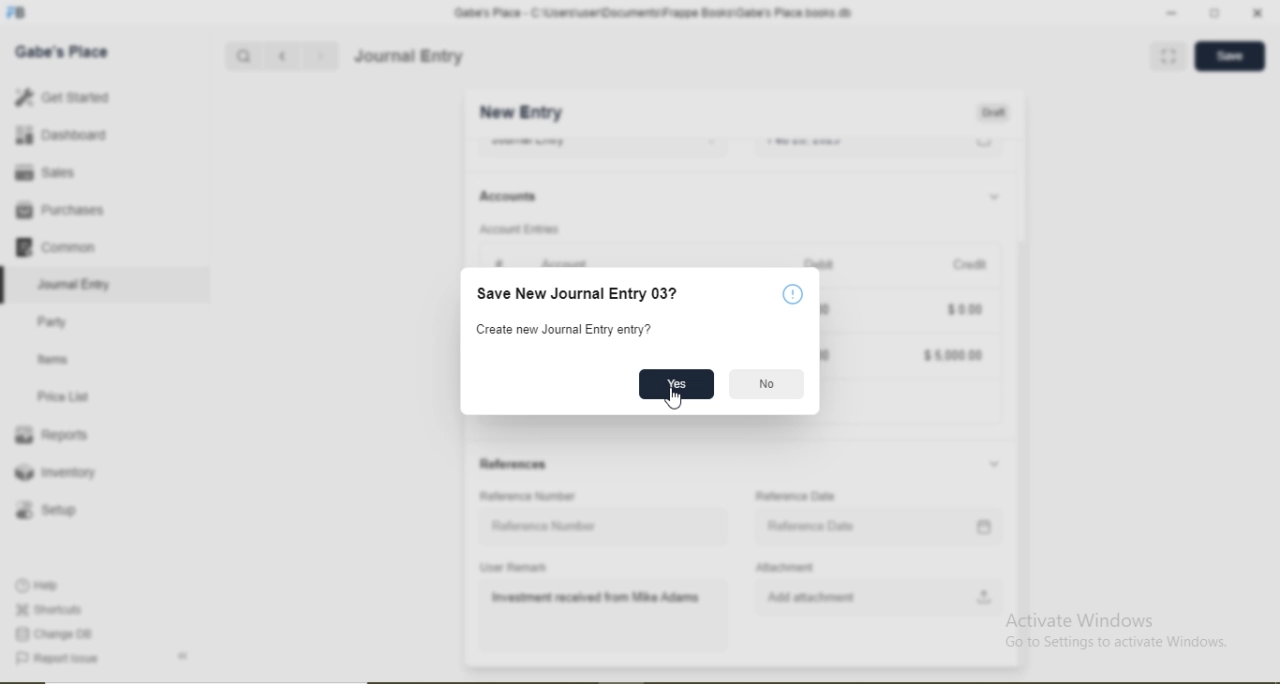 The height and width of the screenshot is (684, 1280). What do you see at coordinates (793, 294) in the screenshot?
I see `Help` at bounding box center [793, 294].